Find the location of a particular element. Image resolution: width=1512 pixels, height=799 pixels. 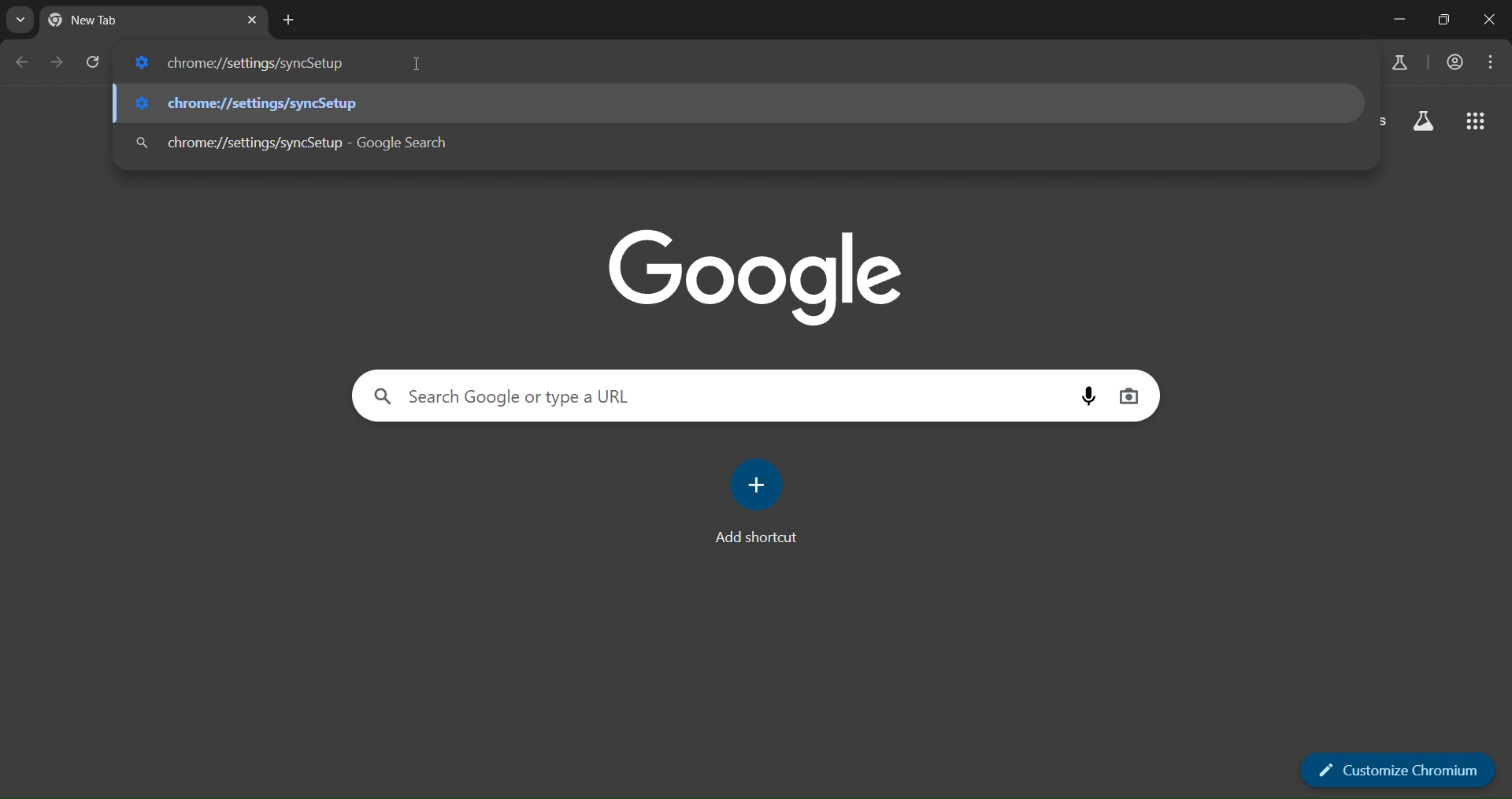

google apps is located at coordinates (1478, 121).